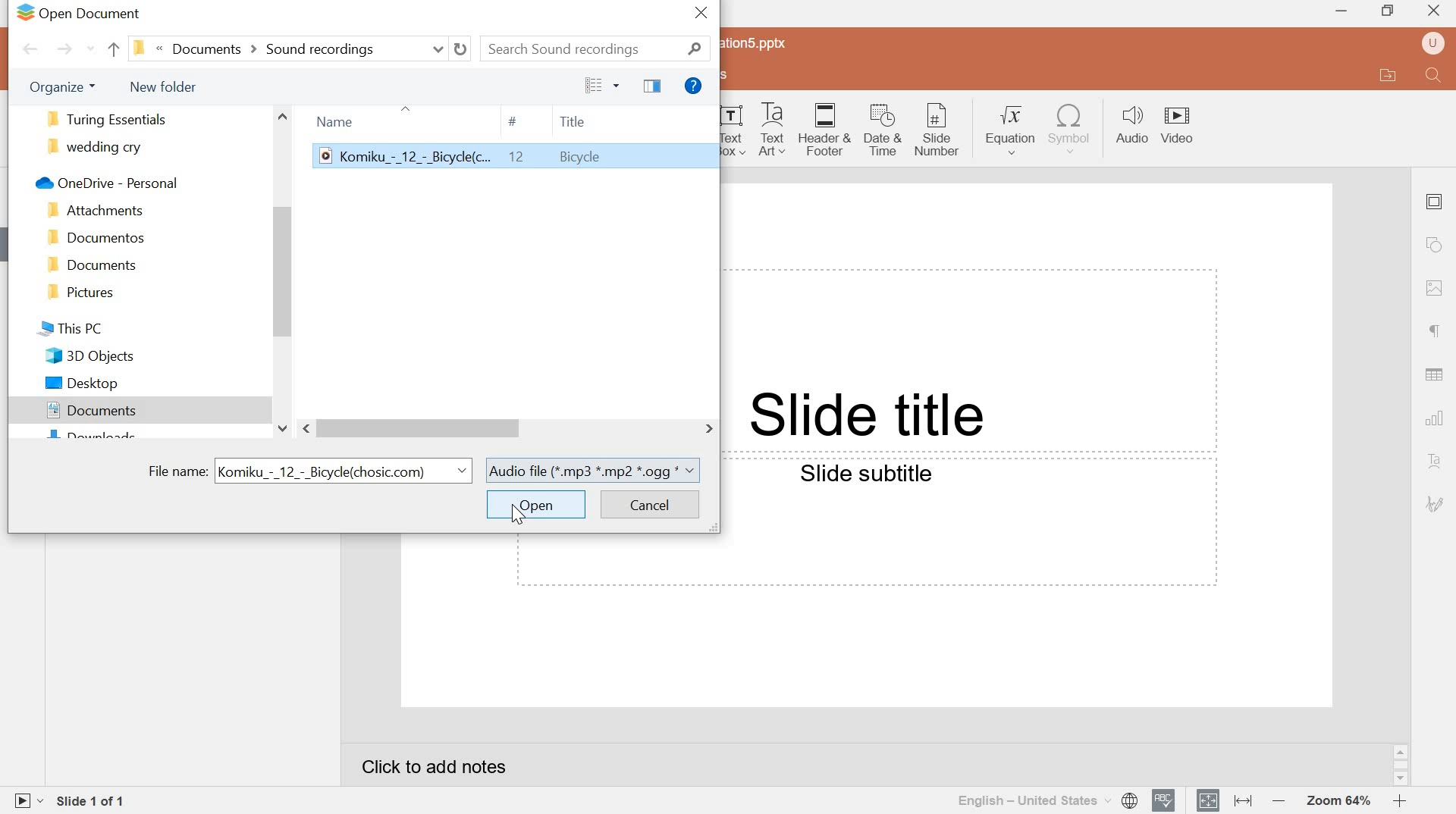 The width and height of the screenshot is (1456, 814). I want to click on file format, so click(595, 471).